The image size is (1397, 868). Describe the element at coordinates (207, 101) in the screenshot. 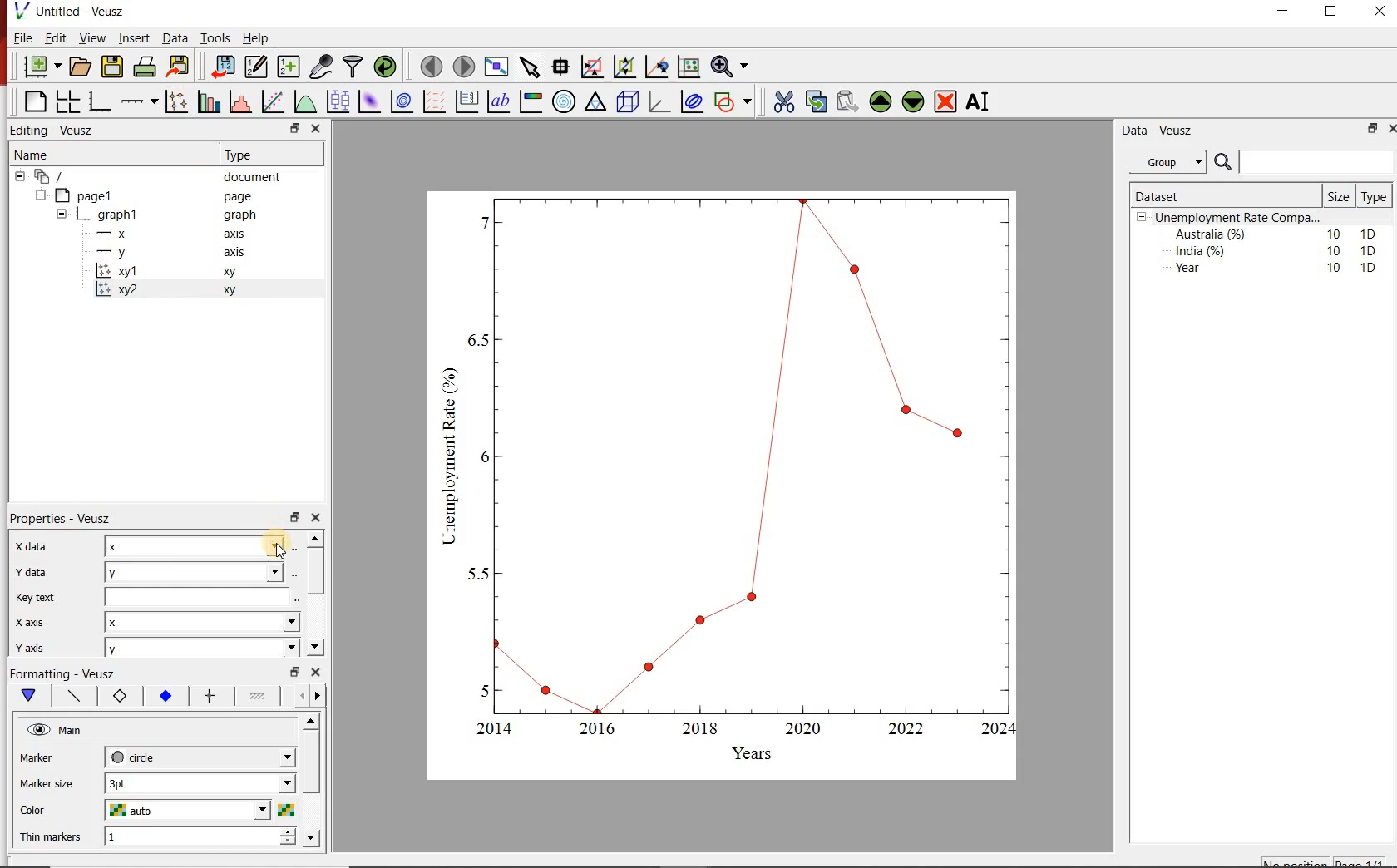

I see `bar graphs` at that location.